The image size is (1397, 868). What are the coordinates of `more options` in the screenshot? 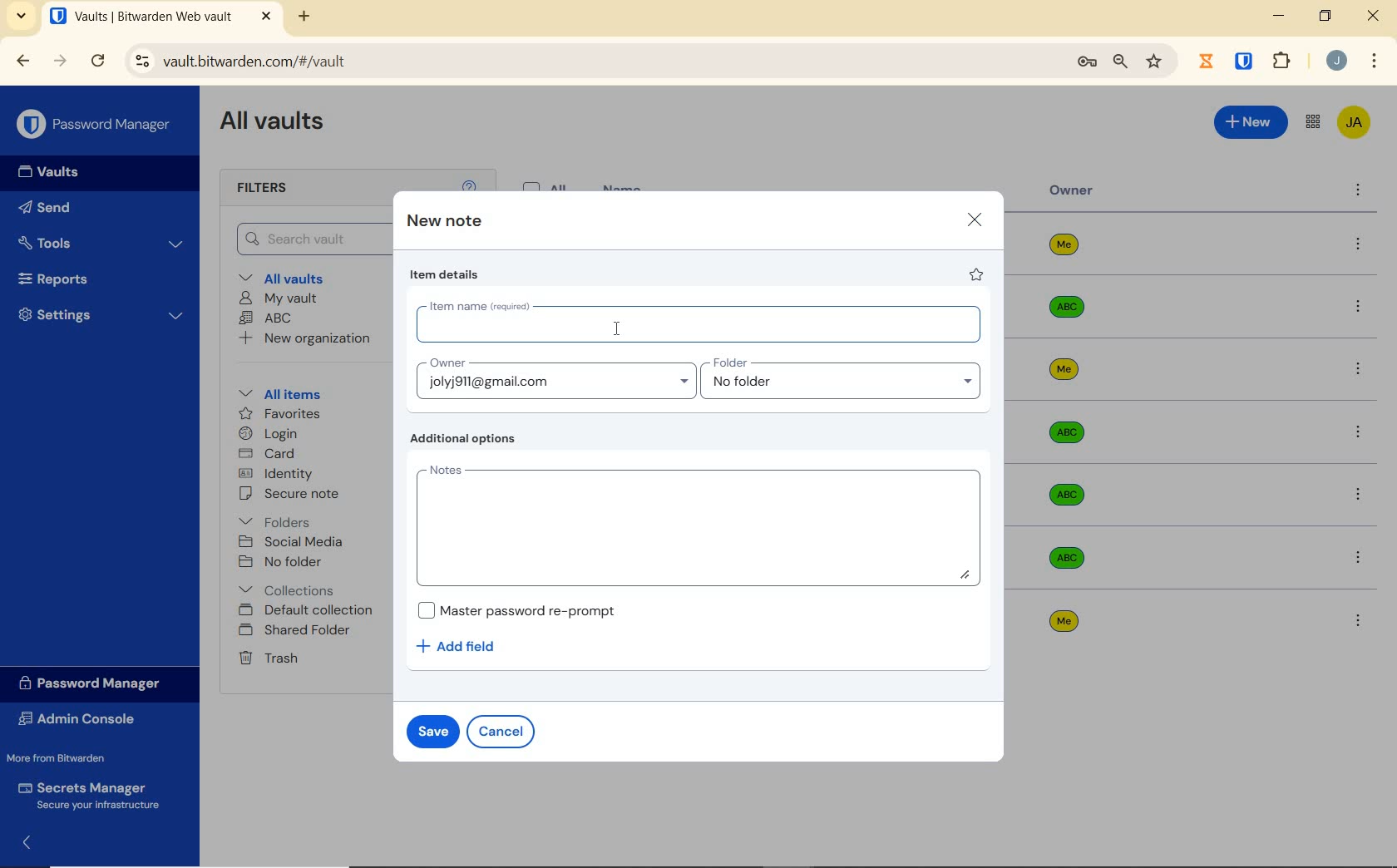 It's located at (1359, 372).